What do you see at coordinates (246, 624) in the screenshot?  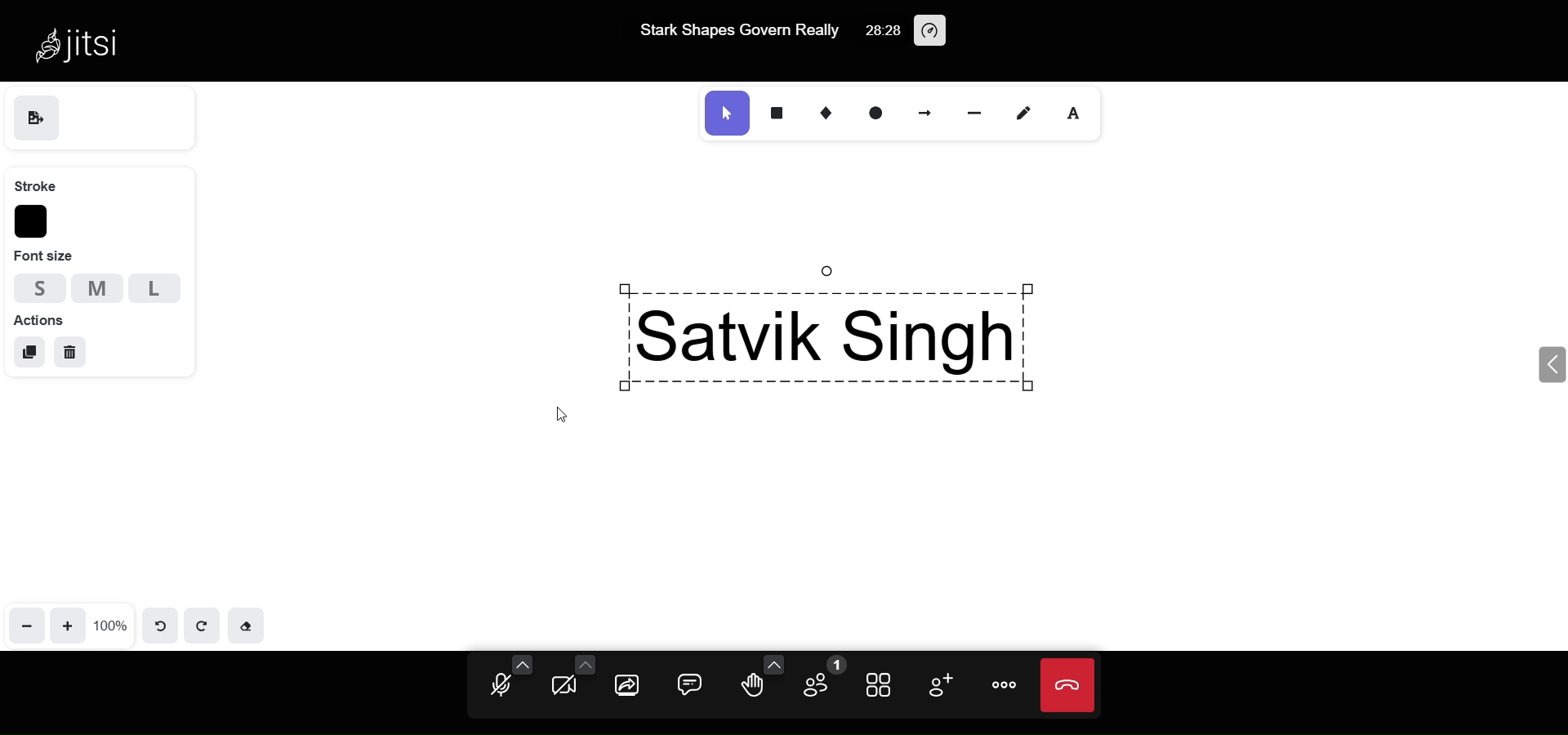 I see `eraser` at bounding box center [246, 624].